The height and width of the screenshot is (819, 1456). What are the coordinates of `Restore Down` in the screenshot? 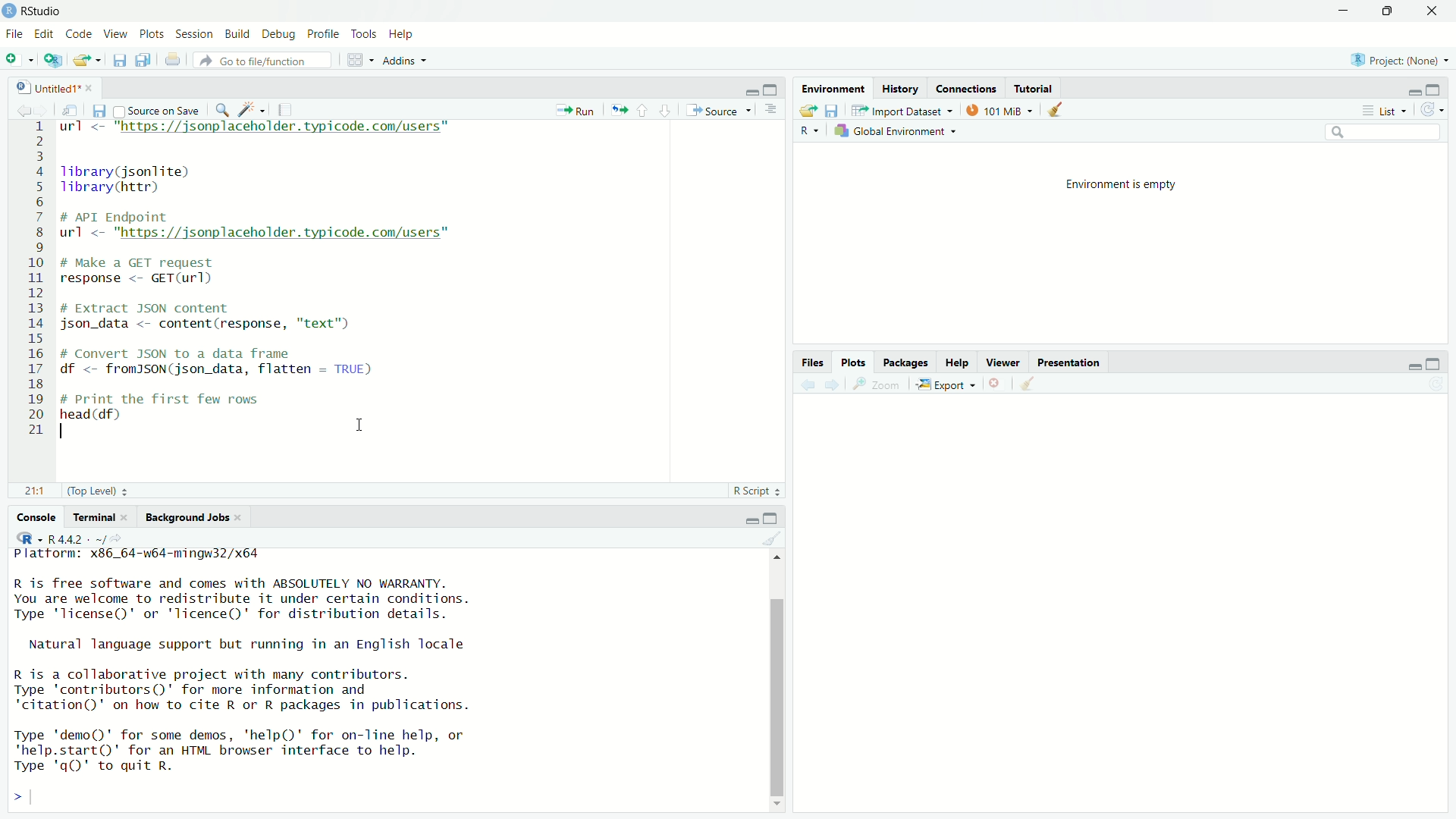 It's located at (1389, 11).